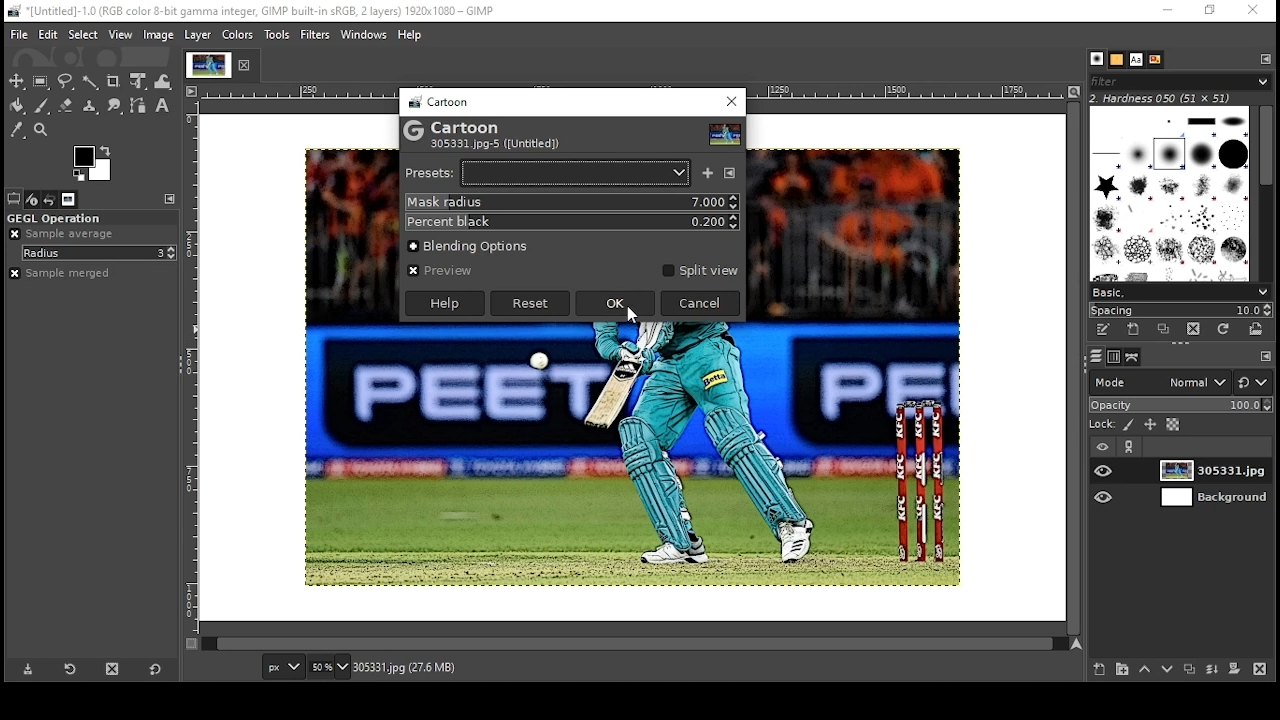 This screenshot has height=720, width=1280. I want to click on delete tool preset, so click(113, 669).